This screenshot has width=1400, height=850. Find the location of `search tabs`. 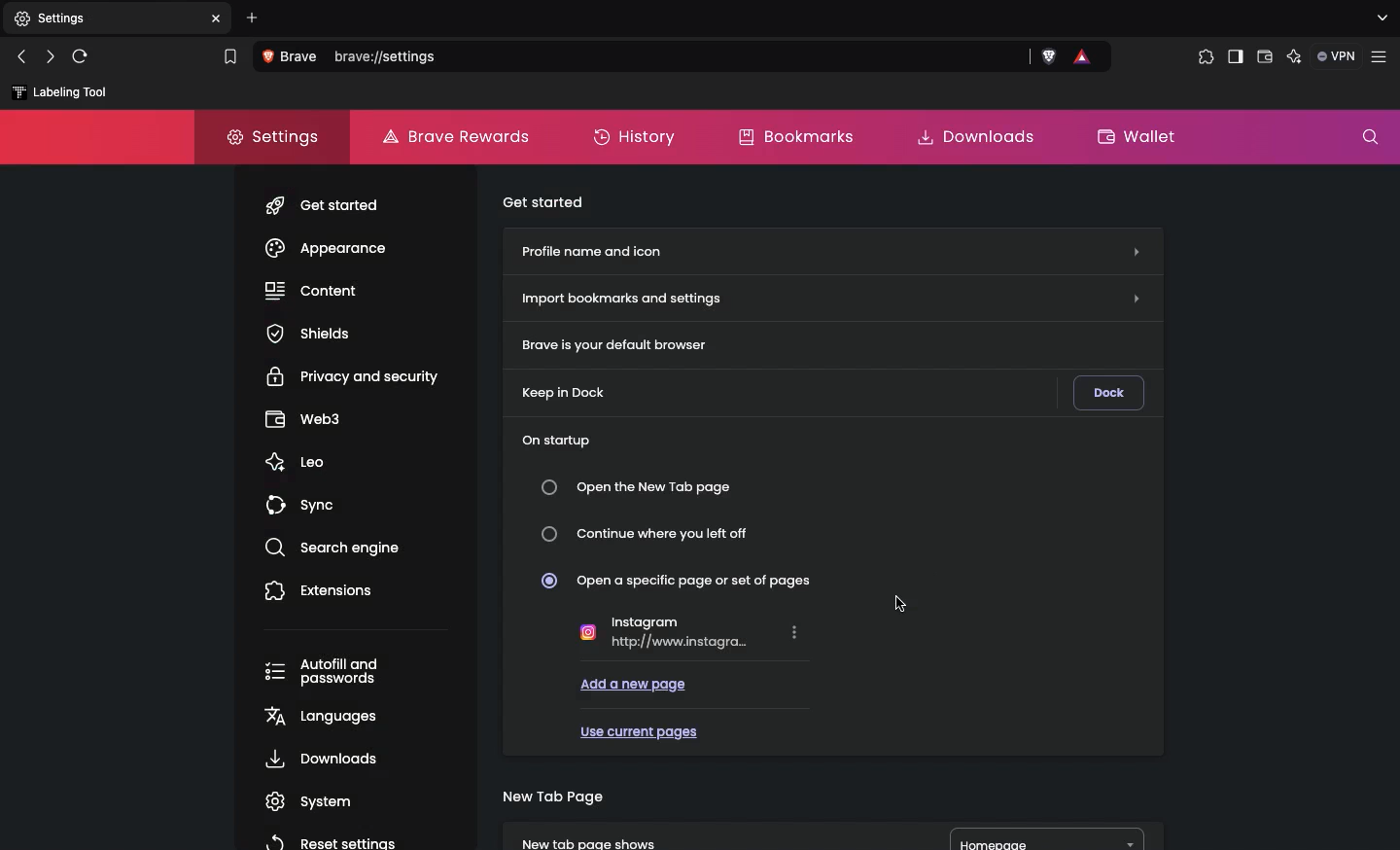

search tabs is located at coordinates (1381, 18).